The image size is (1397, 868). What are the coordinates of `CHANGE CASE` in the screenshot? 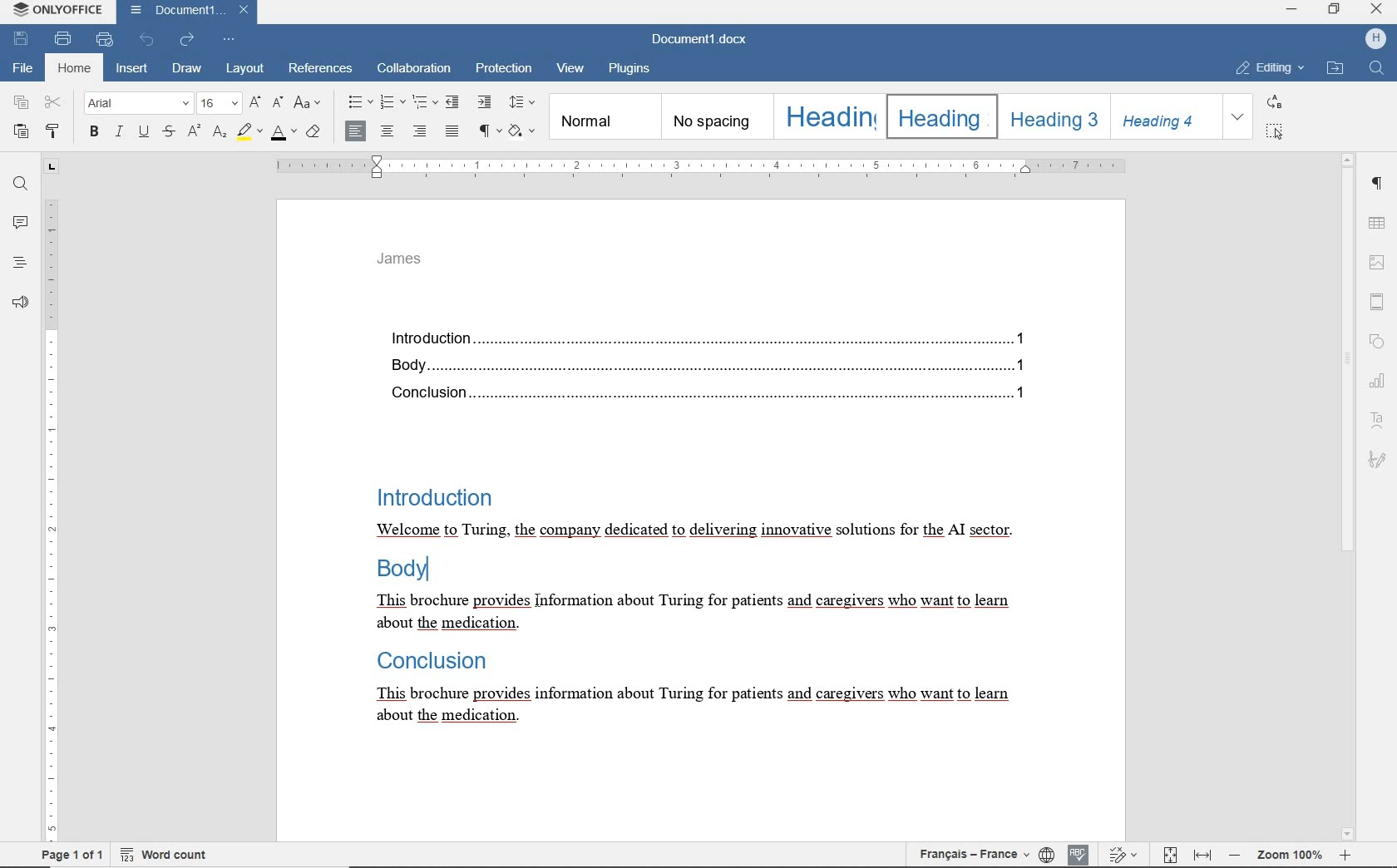 It's located at (309, 104).